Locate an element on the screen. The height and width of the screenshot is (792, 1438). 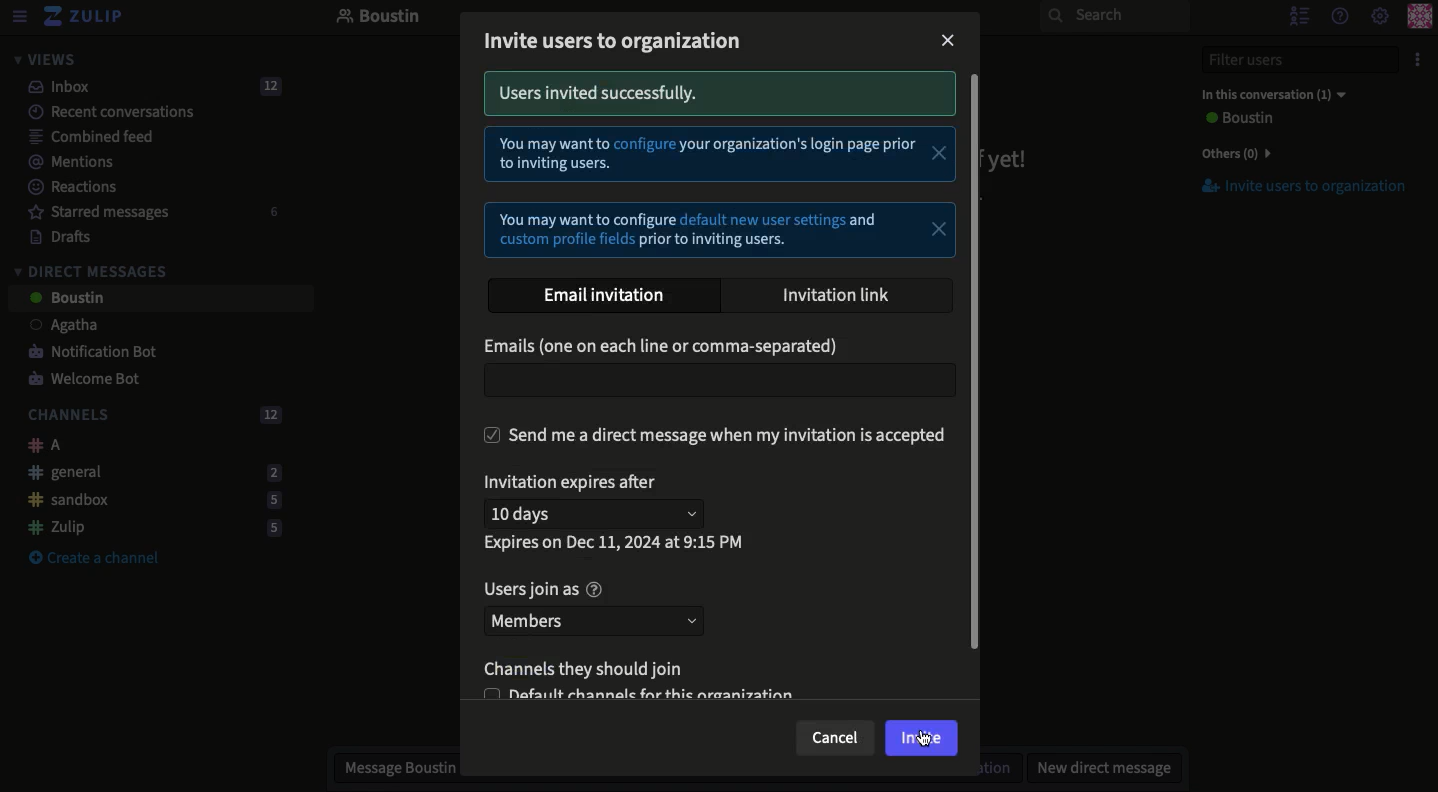
Options is located at coordinates (1415, 60).